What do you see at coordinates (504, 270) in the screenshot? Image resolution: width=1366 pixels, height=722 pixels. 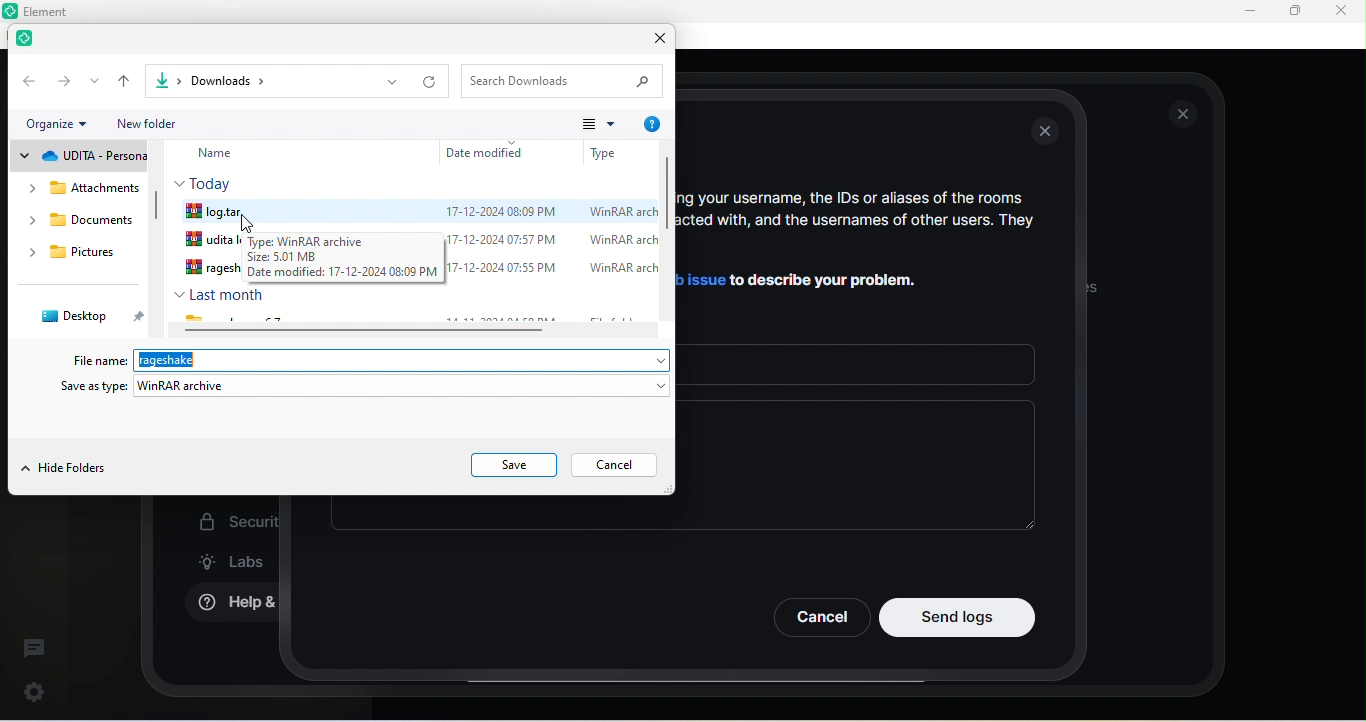 I see `7-12-2024 07:55 PM` at bounding box center [504, 270].